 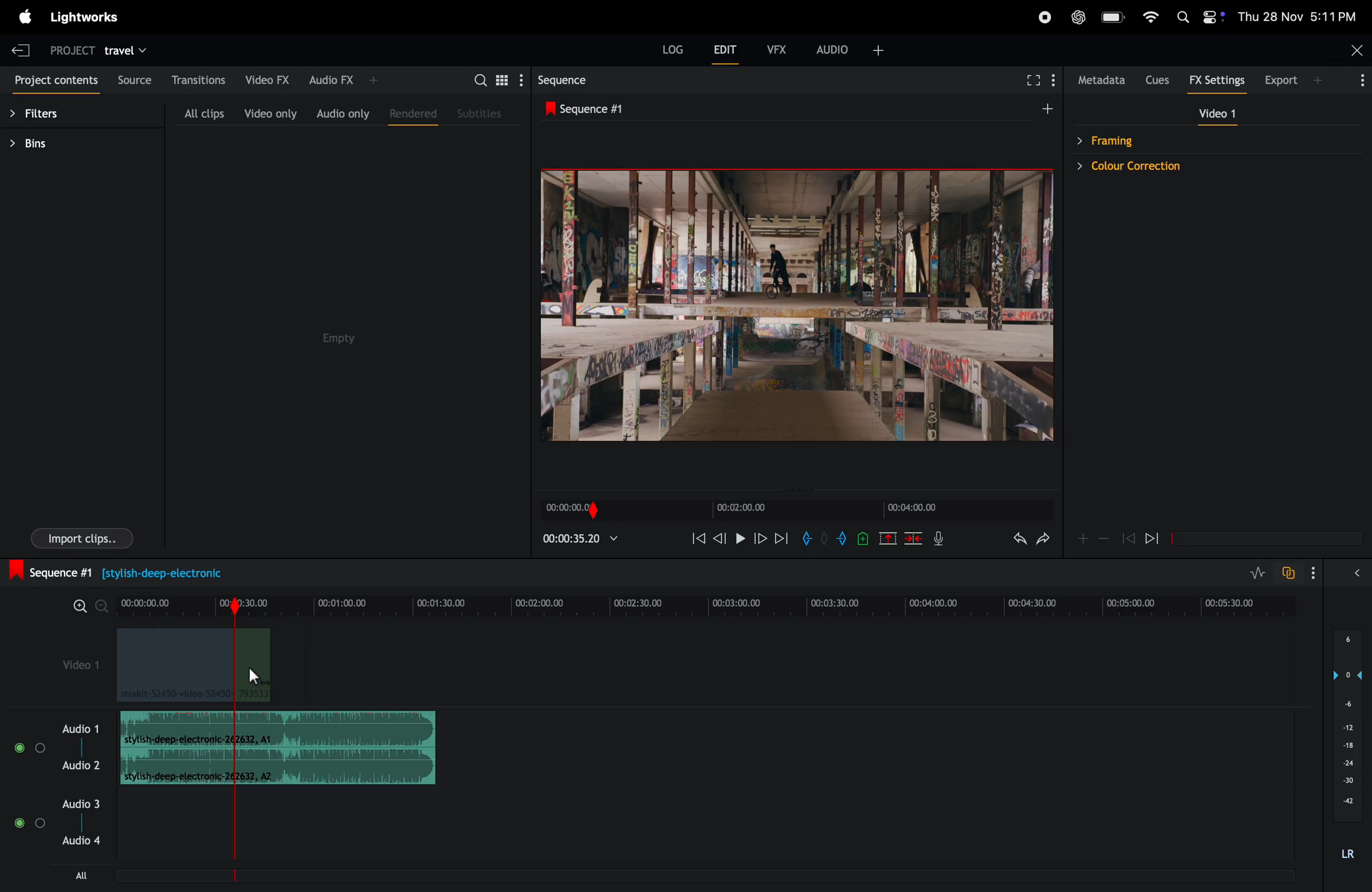 I want to click on video, so click(x=1216, y=115).